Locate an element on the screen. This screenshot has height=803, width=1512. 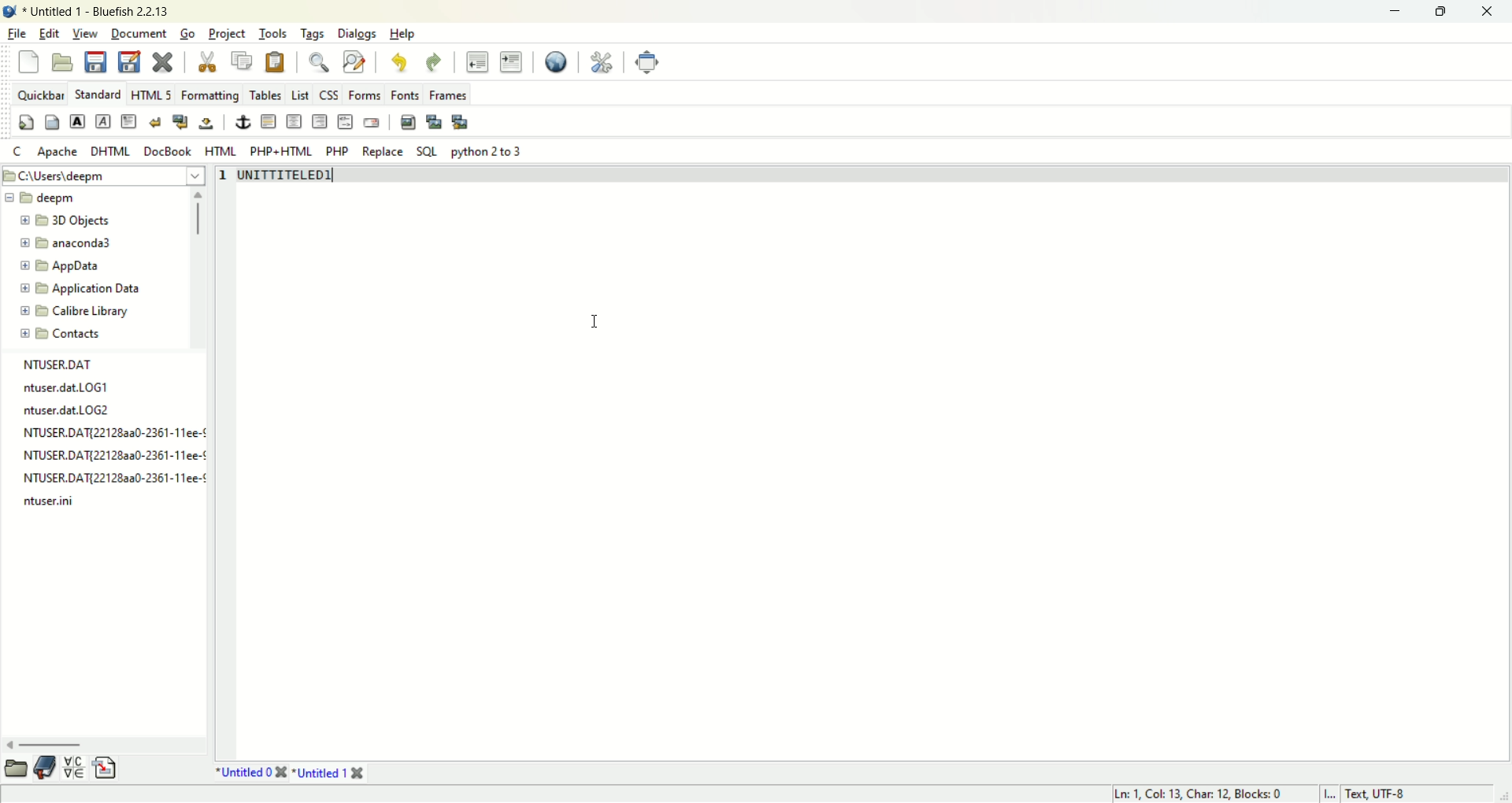
insert image is located at coordinates (407, 122).